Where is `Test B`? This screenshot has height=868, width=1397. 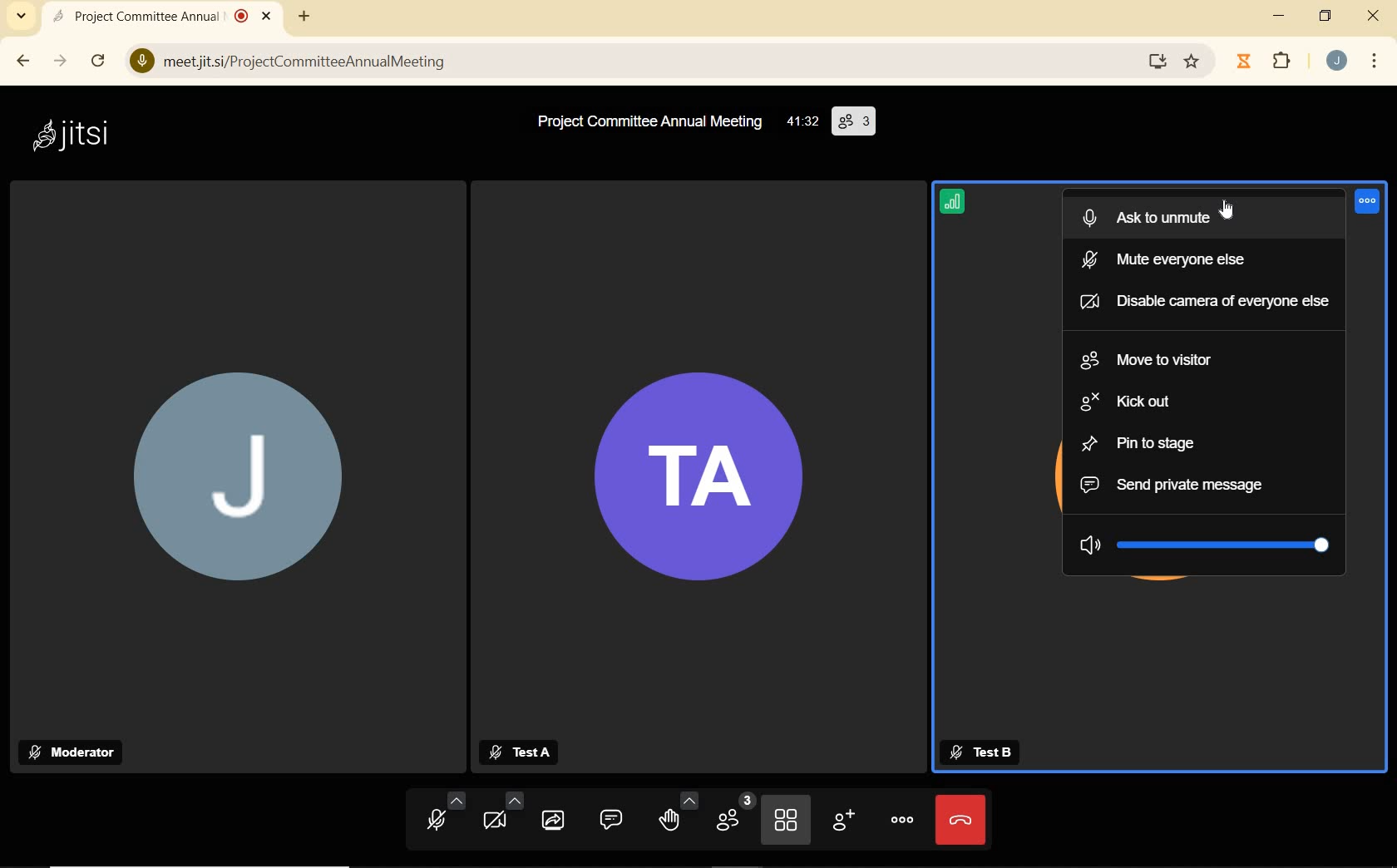
Test B is located at coordinates (984, 752).